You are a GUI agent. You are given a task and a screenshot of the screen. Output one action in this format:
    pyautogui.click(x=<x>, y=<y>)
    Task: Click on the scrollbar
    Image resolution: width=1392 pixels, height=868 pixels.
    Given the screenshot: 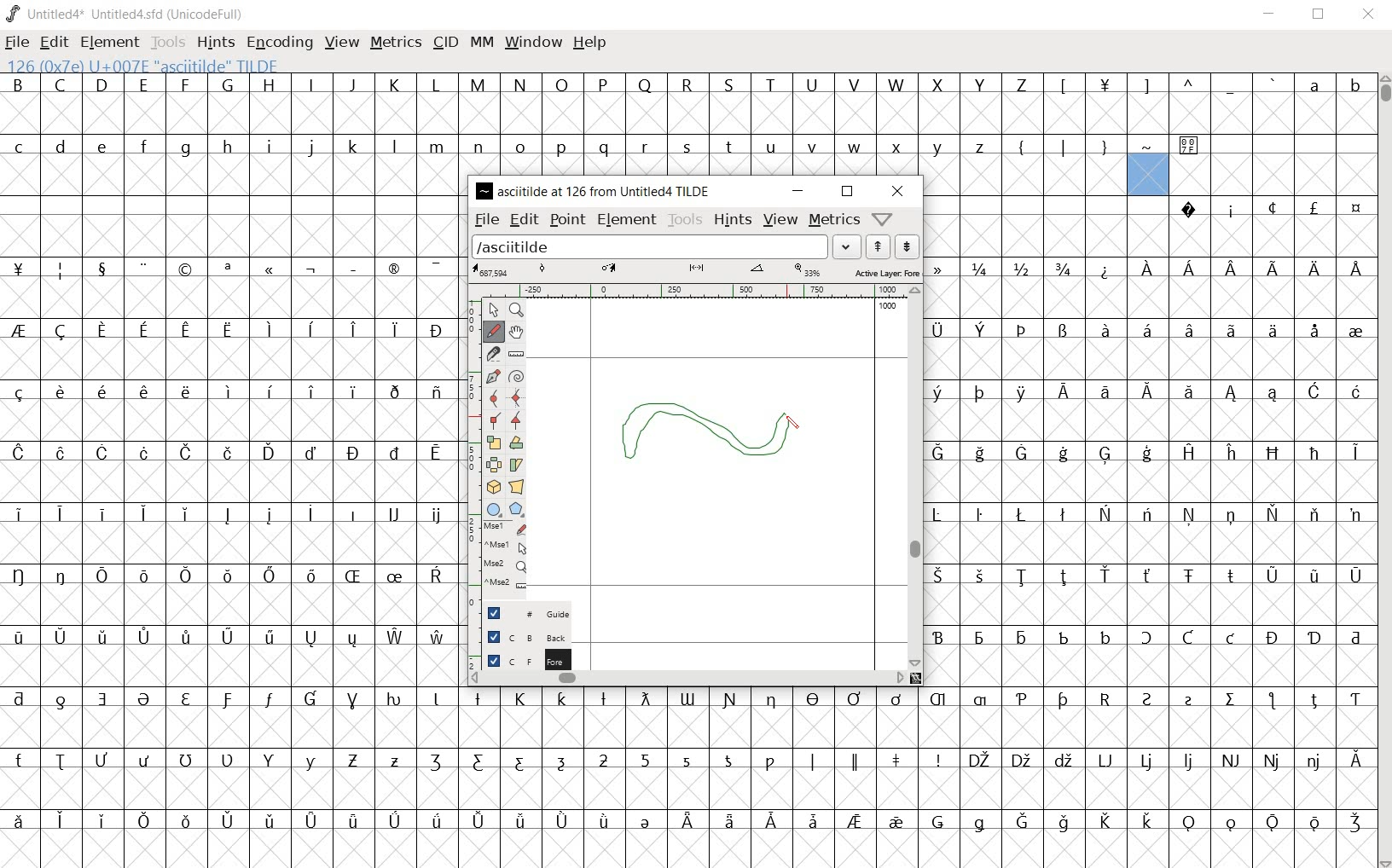 What is the action you would take?
    pyautogui.click(x=917, y=477)
    